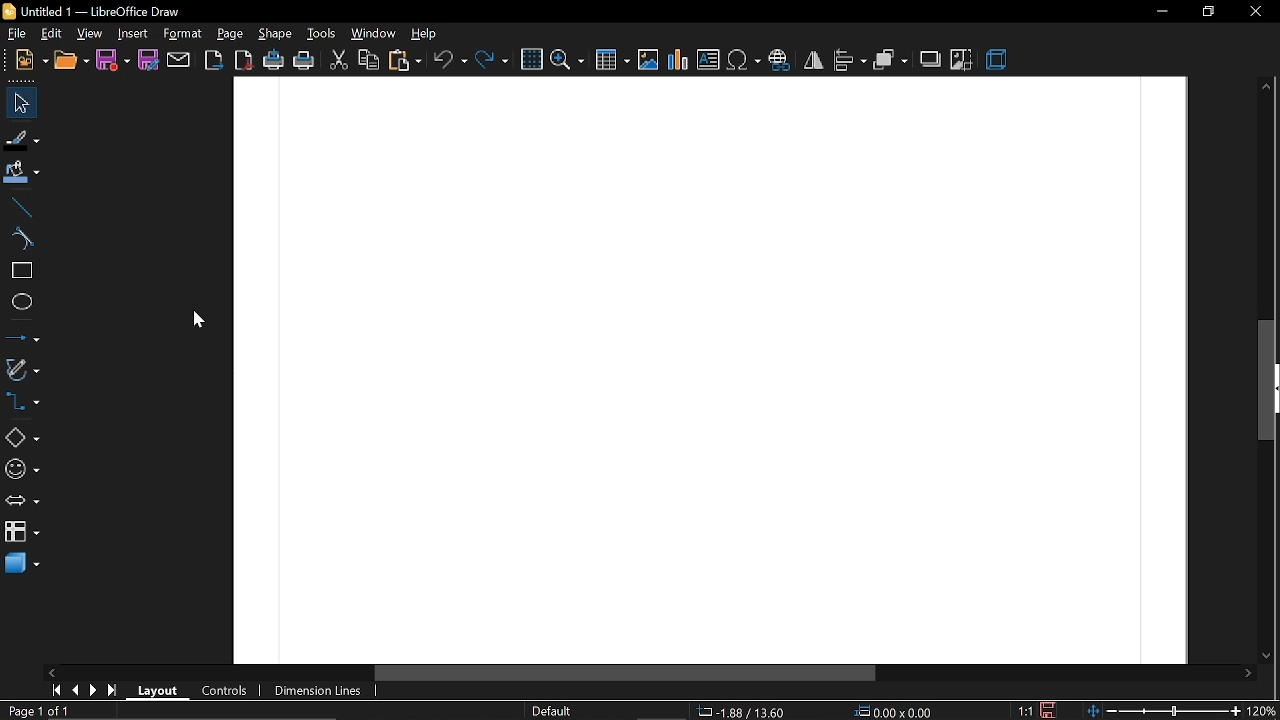  What do you see at coordinates (20, 137) in the screenshot?
I see `fill line` at bounding box center [20, 137].